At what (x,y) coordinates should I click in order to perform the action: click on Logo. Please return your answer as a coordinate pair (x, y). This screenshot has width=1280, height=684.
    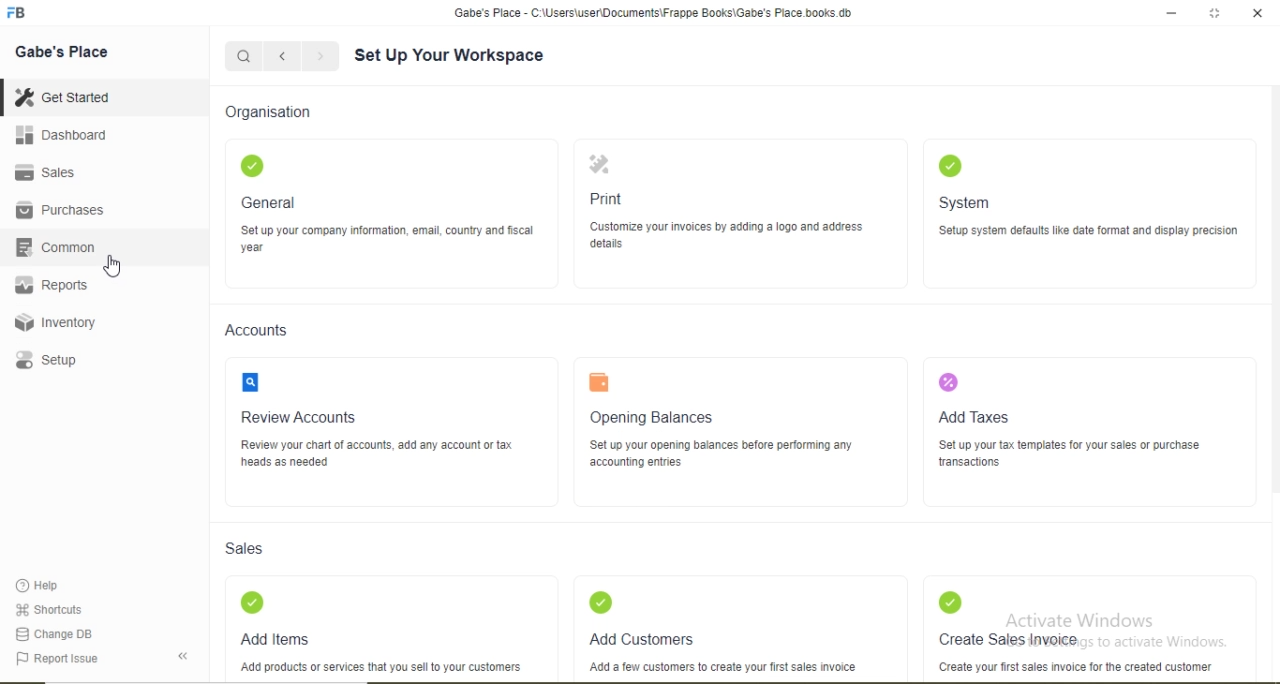
    Looking at the image, I should click on (251, 382).